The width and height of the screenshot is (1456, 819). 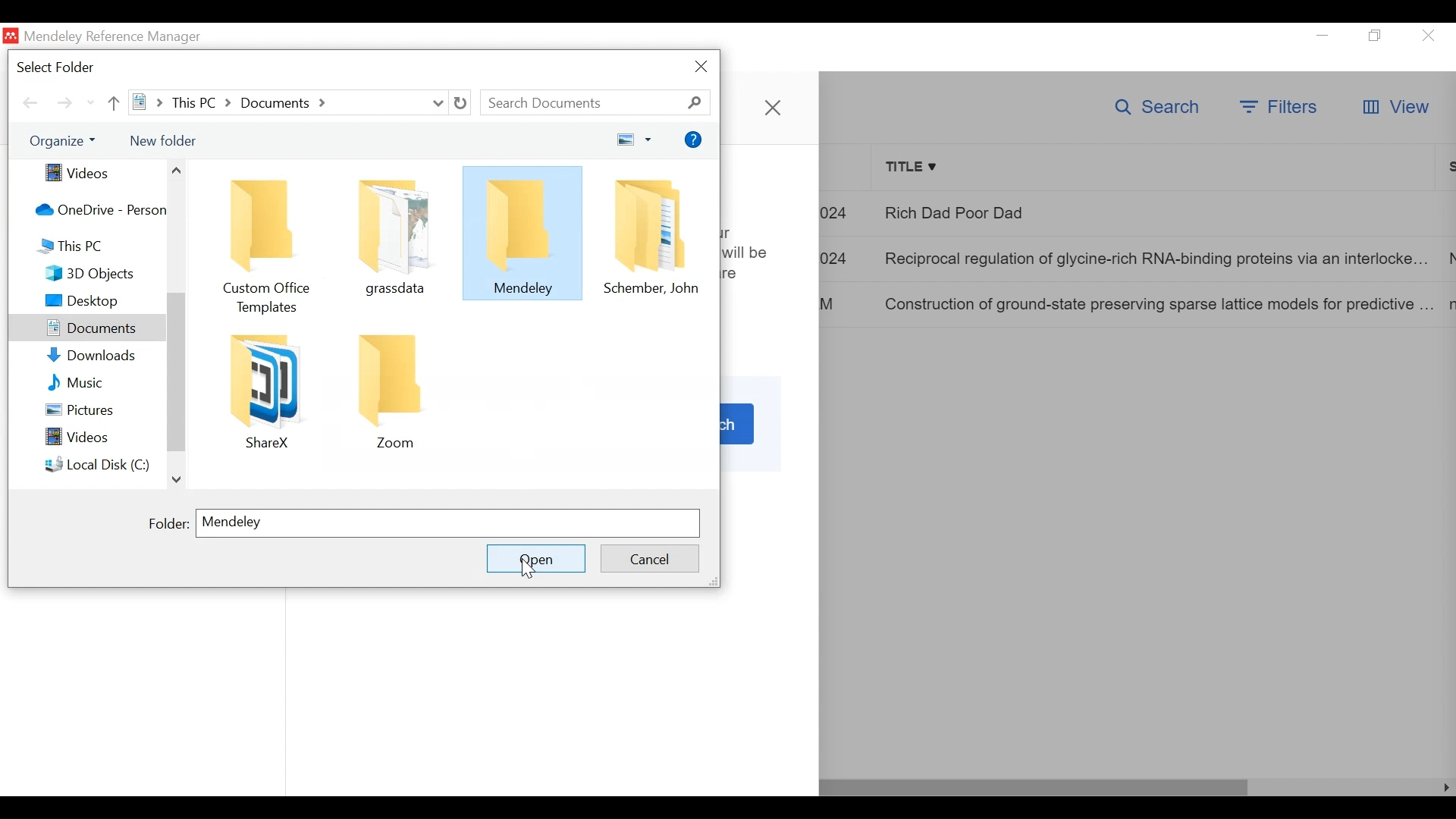 I want to click on Music, so click(x=102, y=383).